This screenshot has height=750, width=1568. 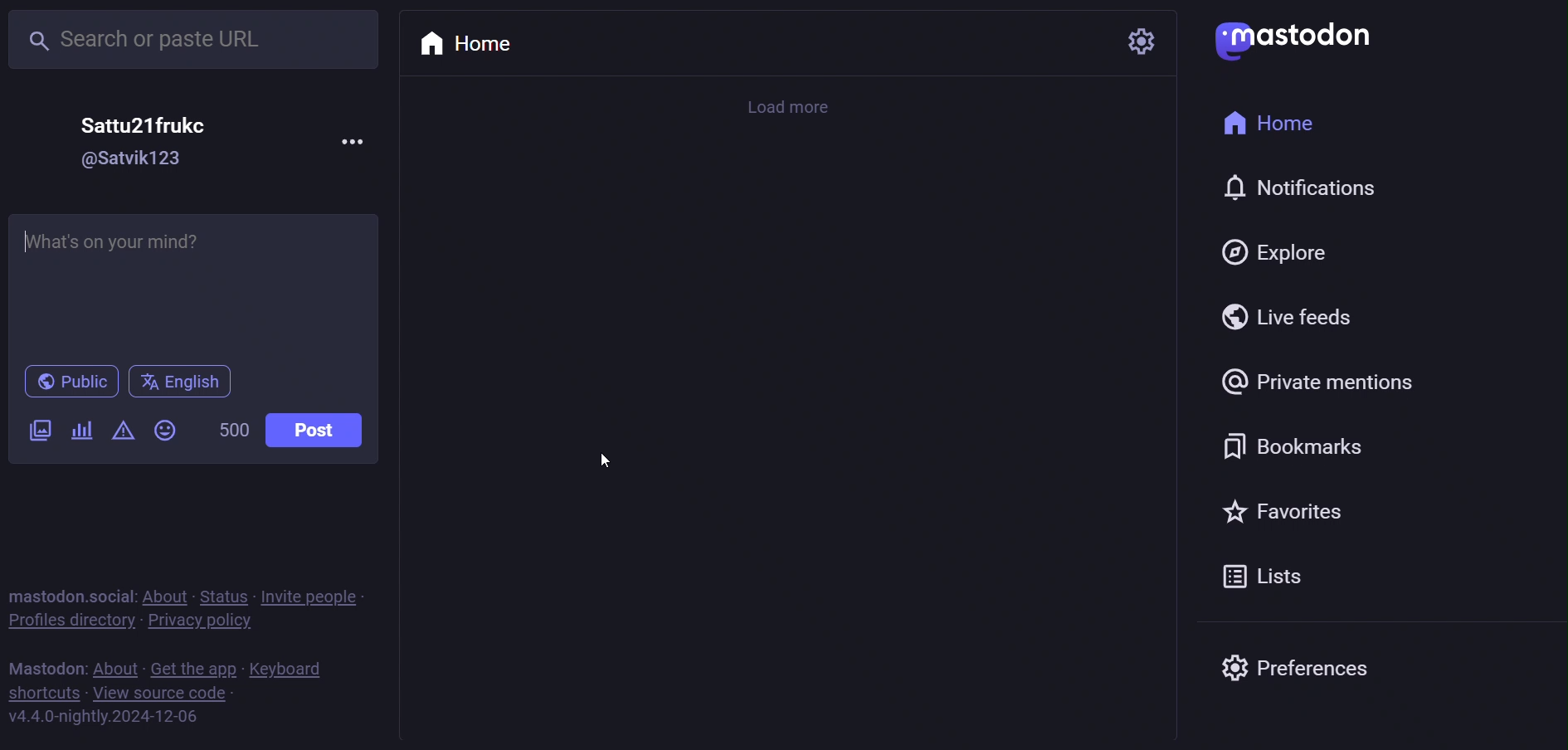 I want to click on word limit, so click(x=233, y=433).